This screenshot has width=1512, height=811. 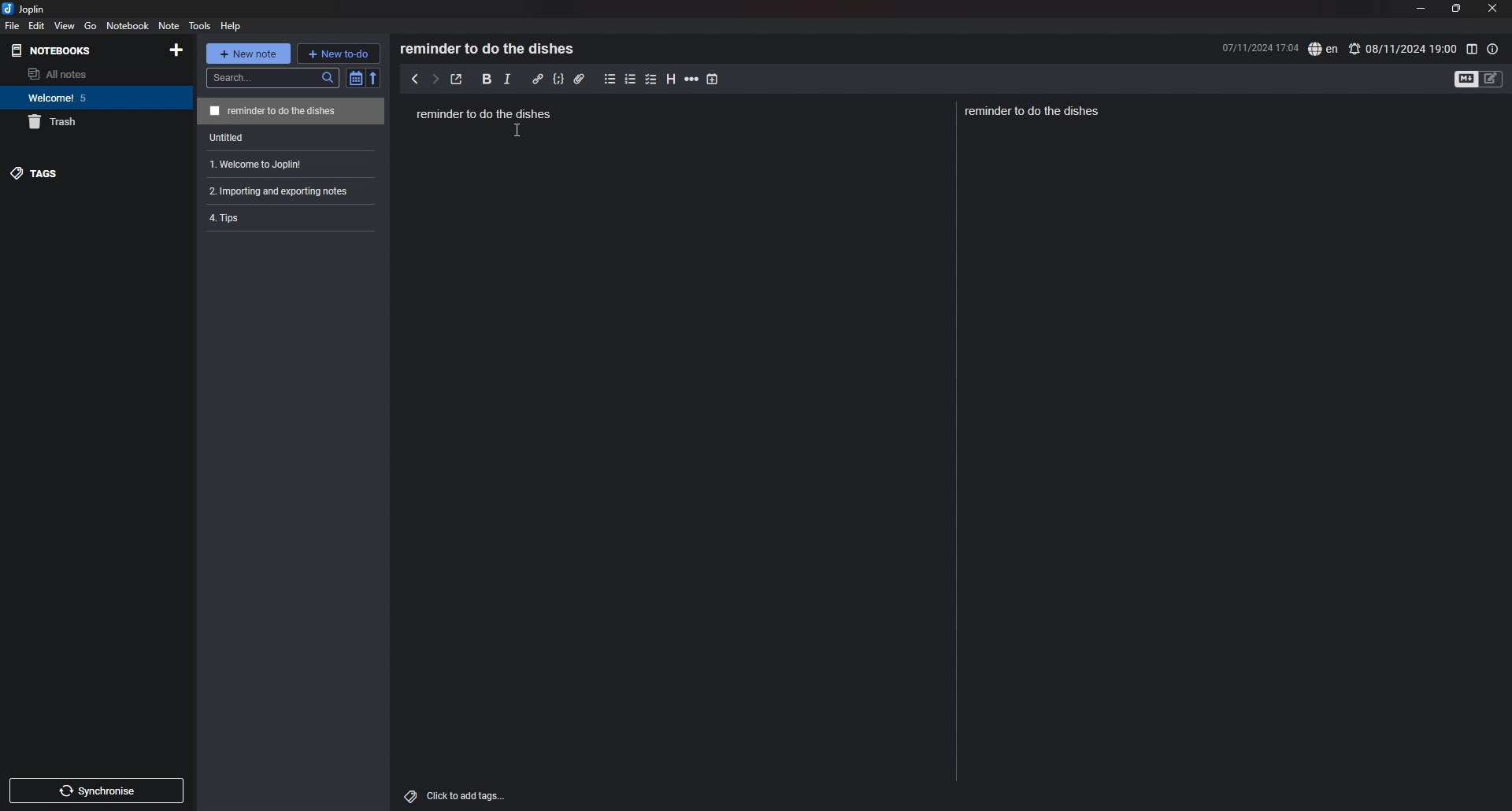 What do you see at coordinates (291, 191) in the screenshot?
I see `note` at bounding box center [291, 191].